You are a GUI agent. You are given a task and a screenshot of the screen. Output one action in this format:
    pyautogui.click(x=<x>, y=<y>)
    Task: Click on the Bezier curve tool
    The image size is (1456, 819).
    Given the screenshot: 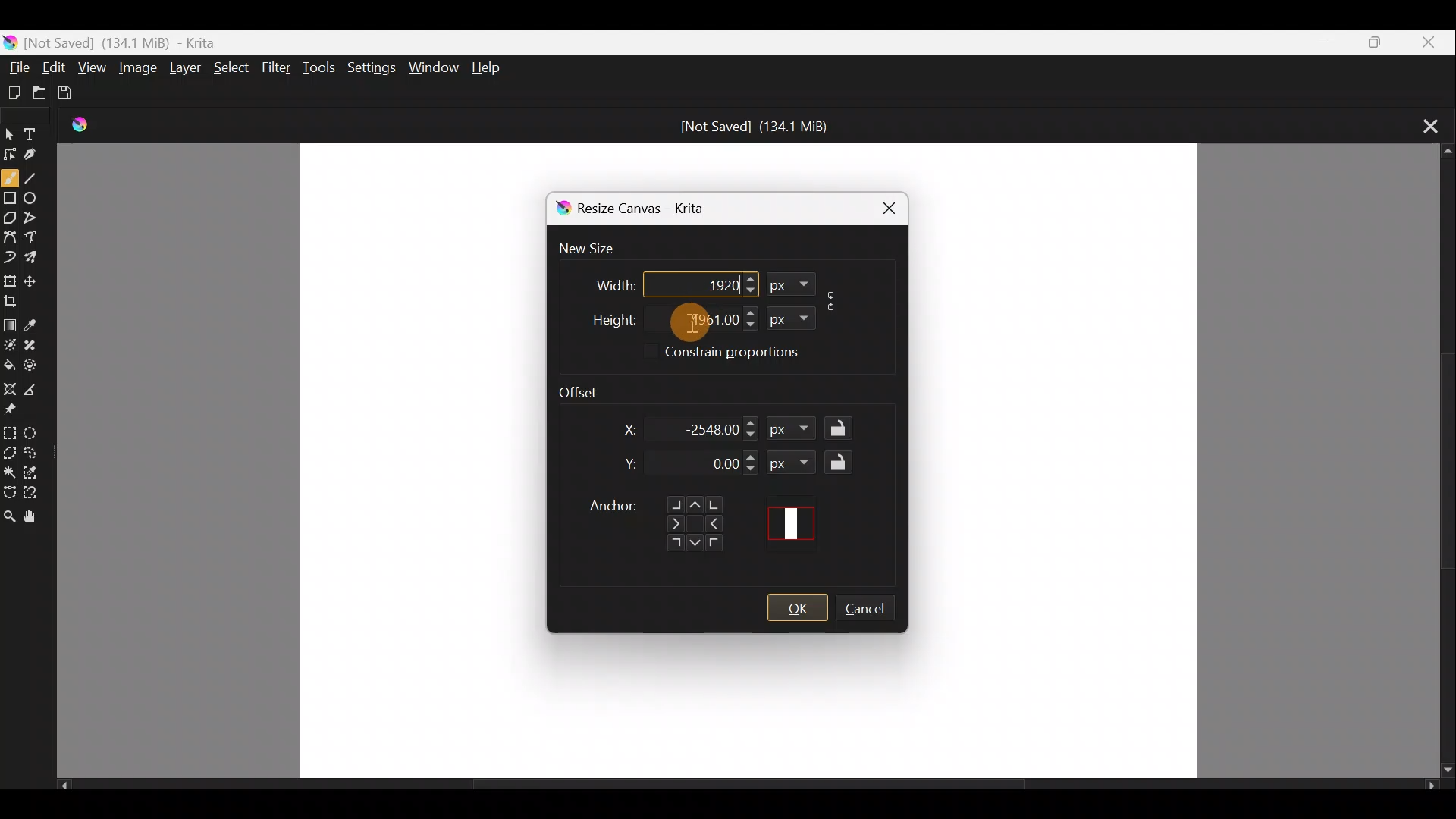 What is the action you would take?
    pyautogui.click(x=11, y=235)
    